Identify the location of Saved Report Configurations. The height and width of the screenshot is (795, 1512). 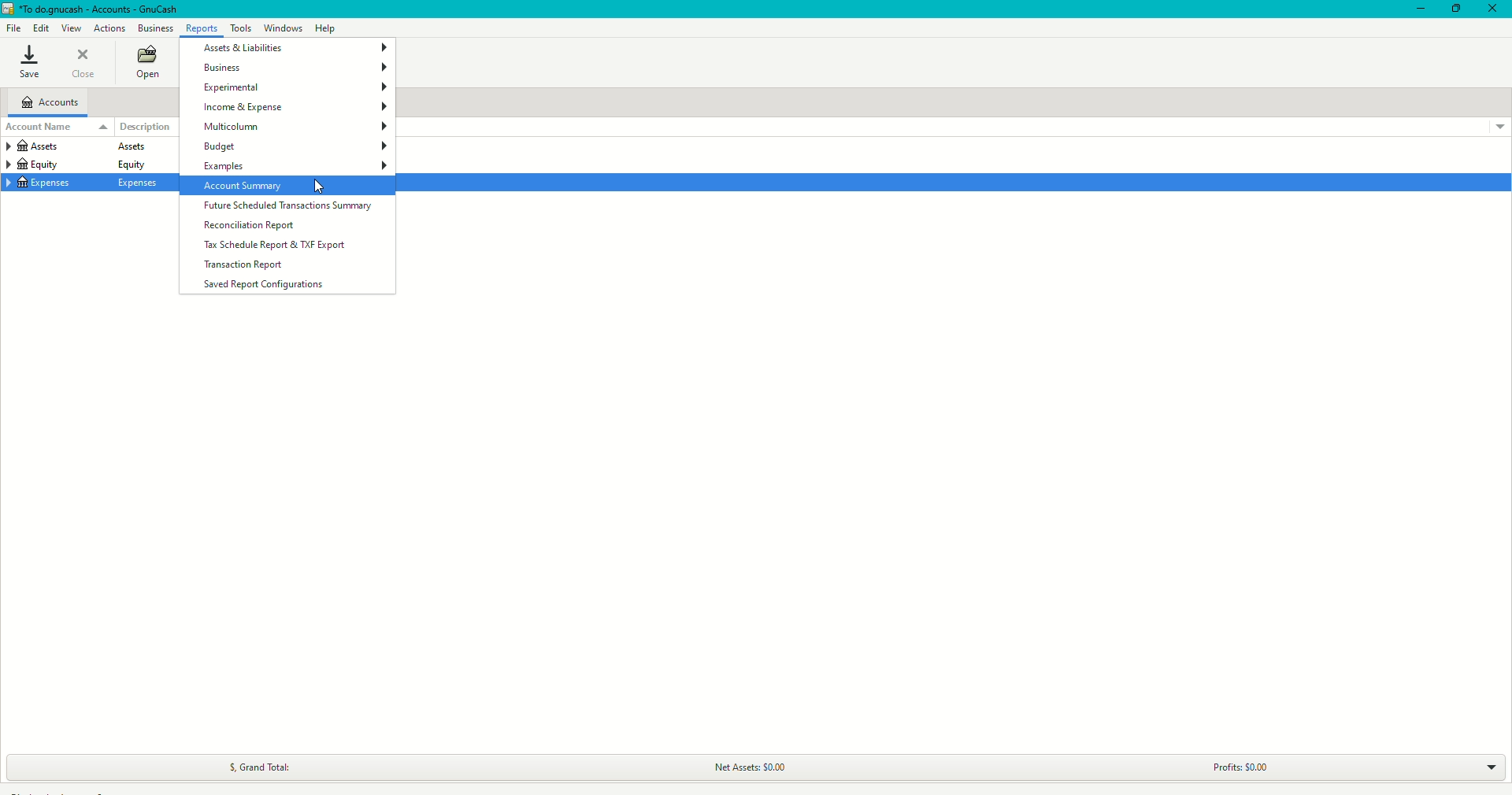
(266, 283).